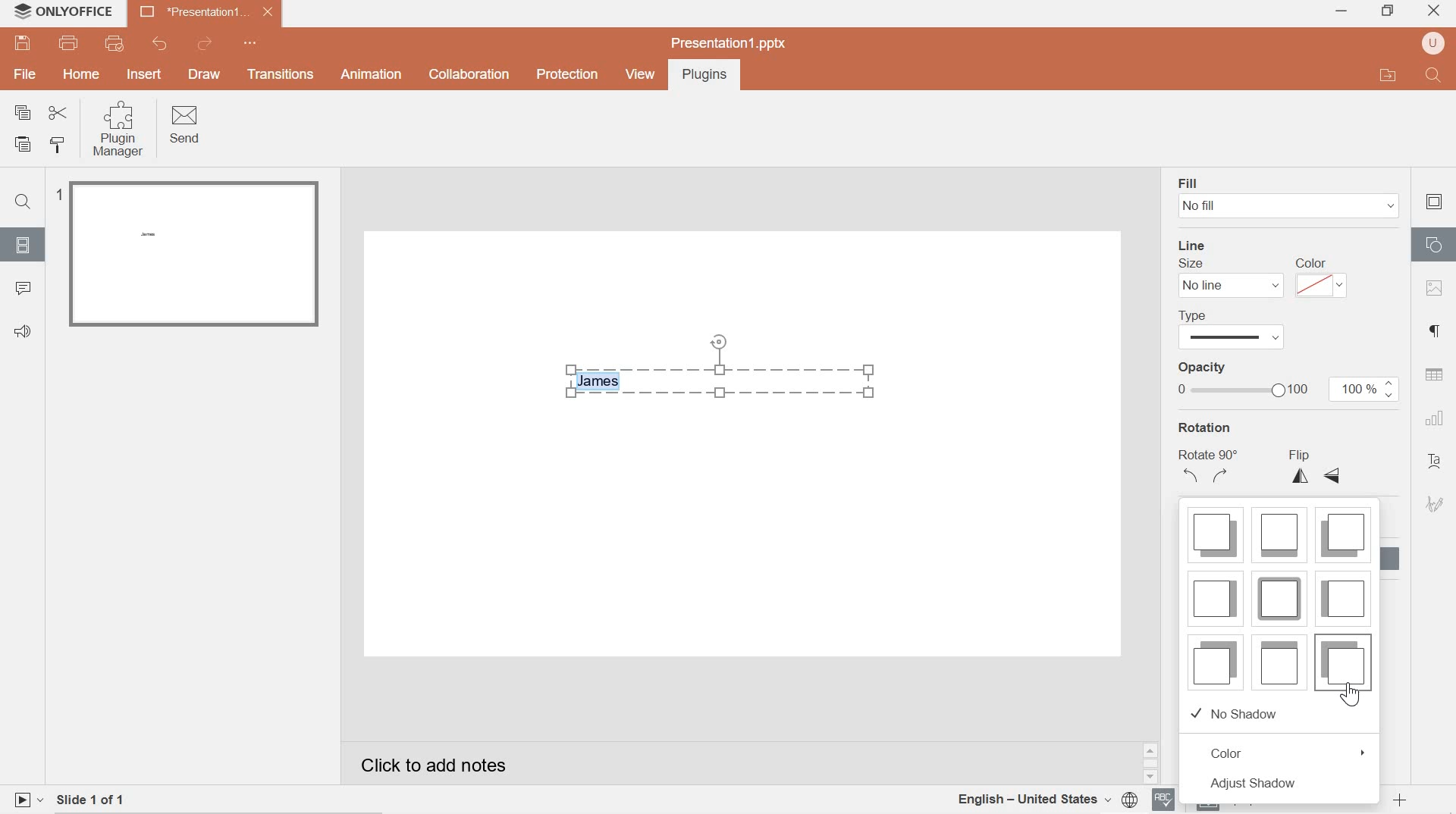 The width and height of the screenshot is (1456, 814). I want to click on Animation, so click(372, 74).